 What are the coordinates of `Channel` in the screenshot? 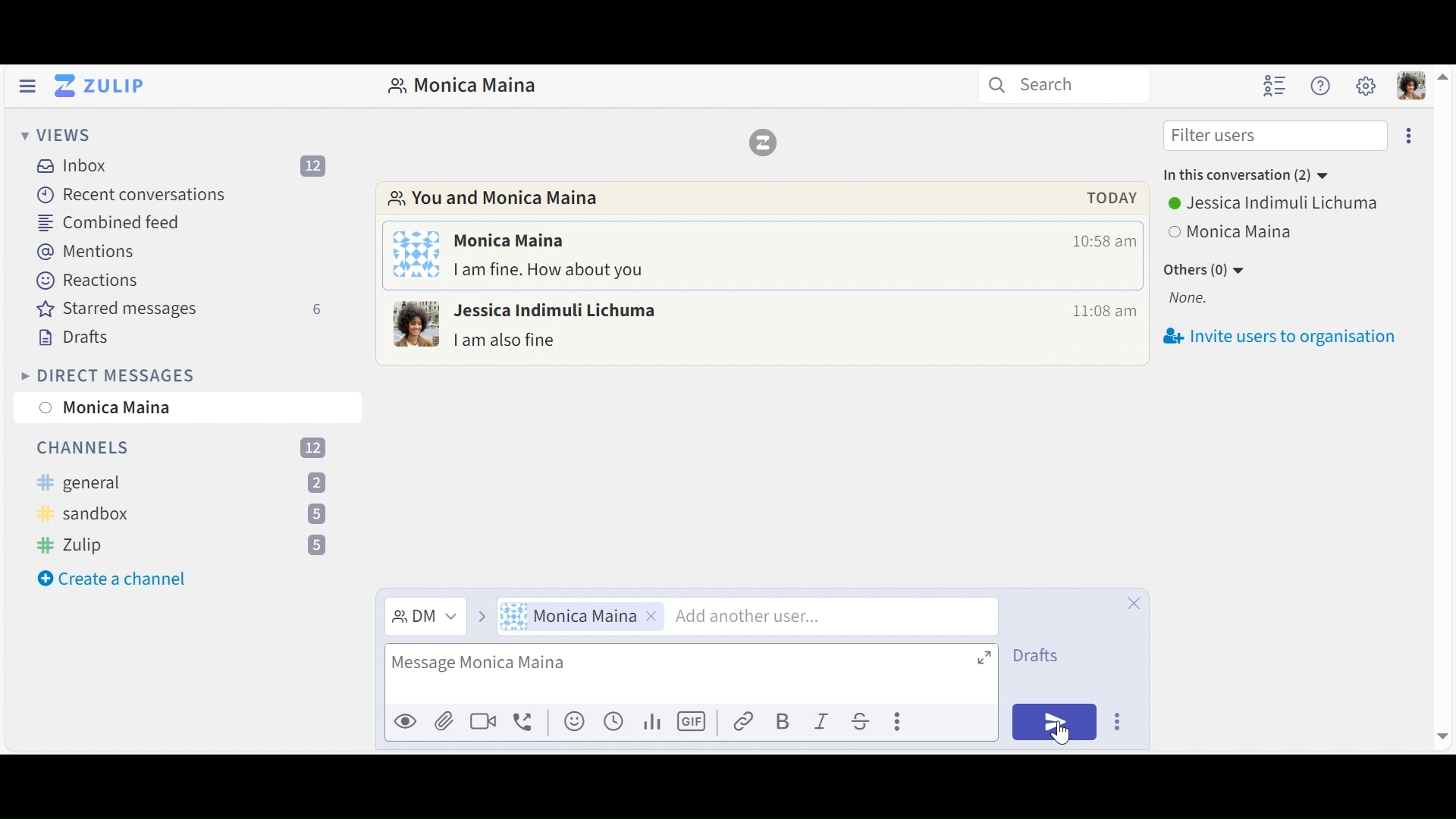 It's located at (181, 547).